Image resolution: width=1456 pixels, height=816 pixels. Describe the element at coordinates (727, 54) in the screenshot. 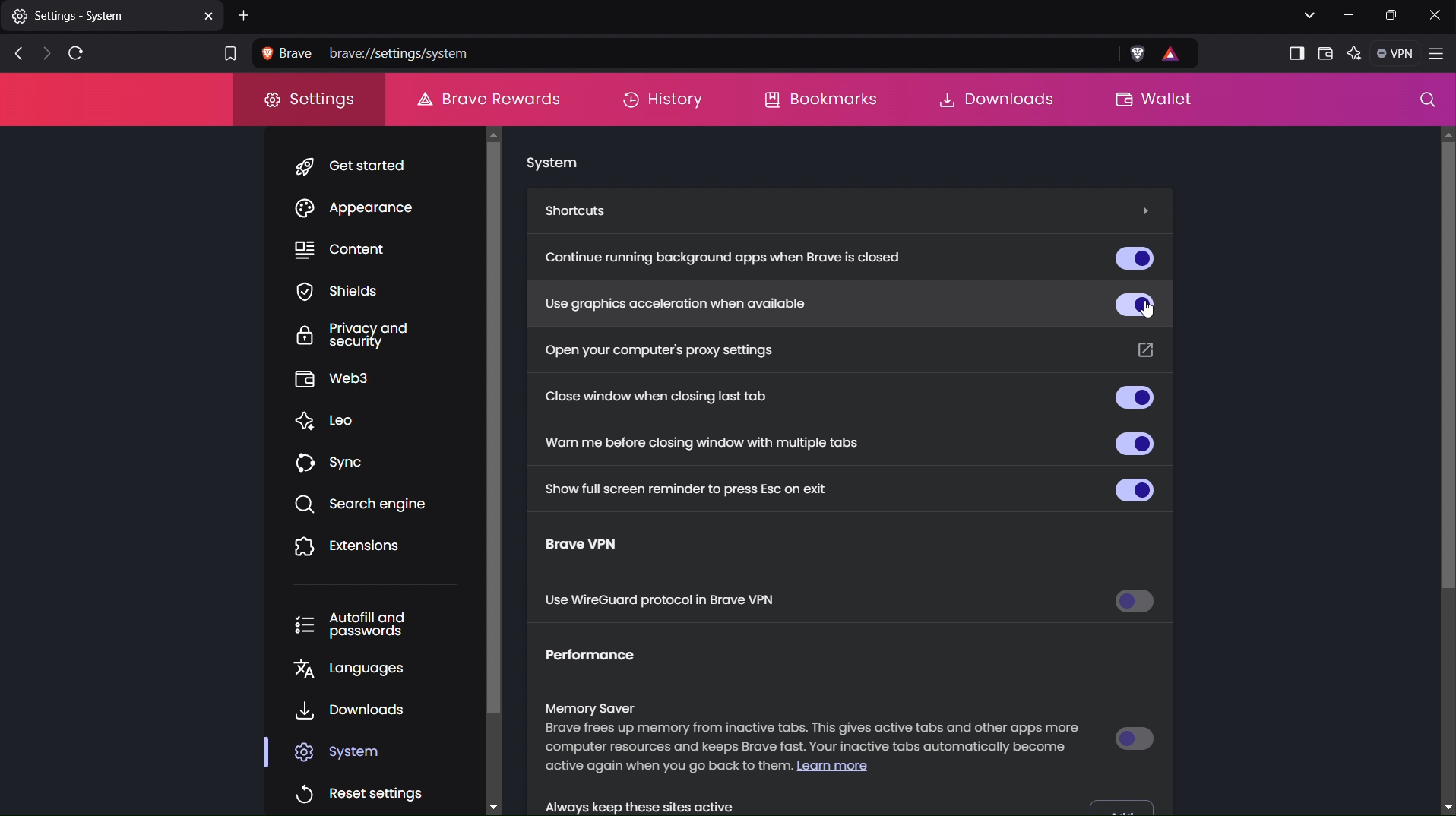

I see `Address Bar` at that location.